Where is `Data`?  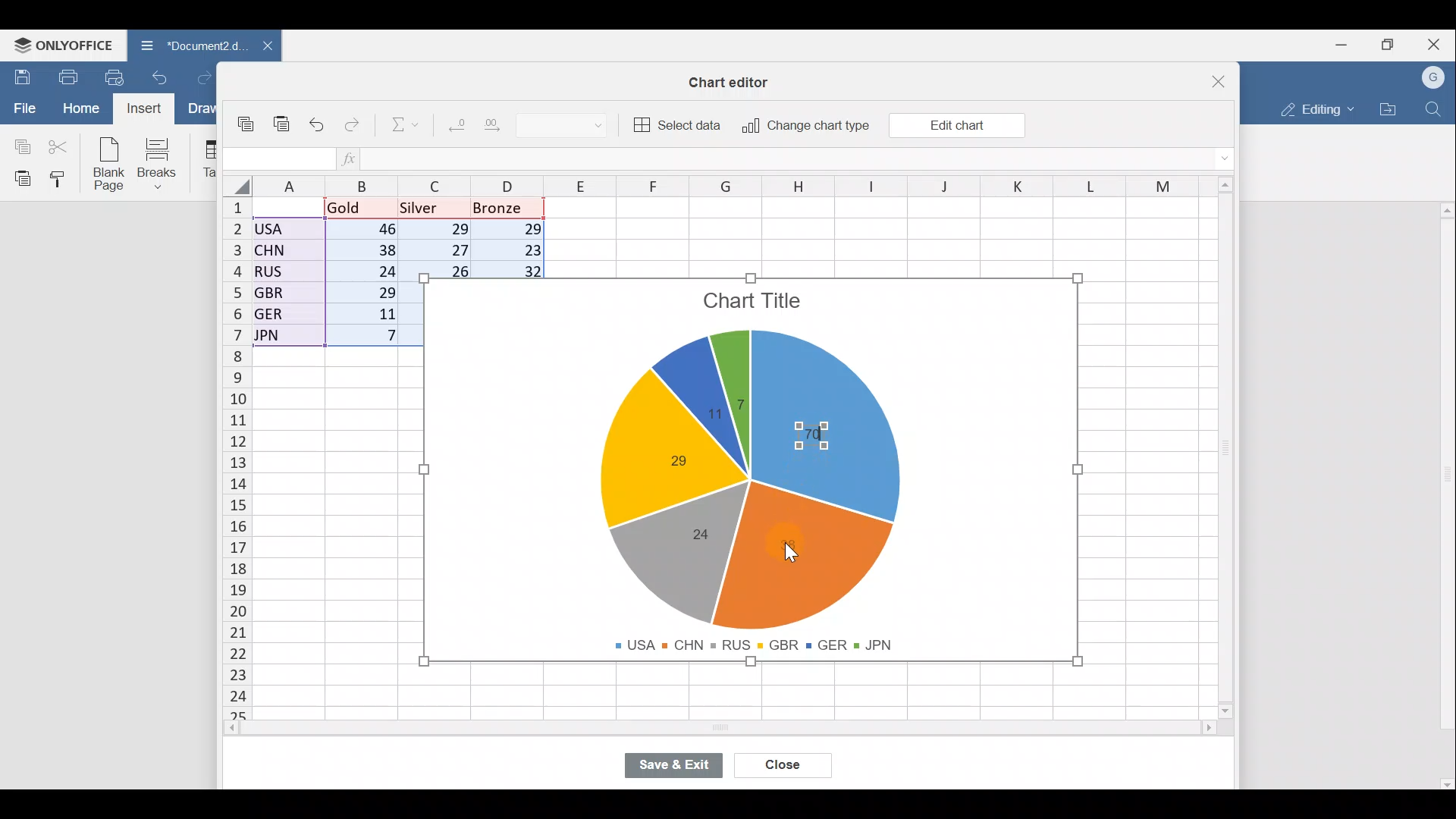
Data is located at coordinates (315, 272).